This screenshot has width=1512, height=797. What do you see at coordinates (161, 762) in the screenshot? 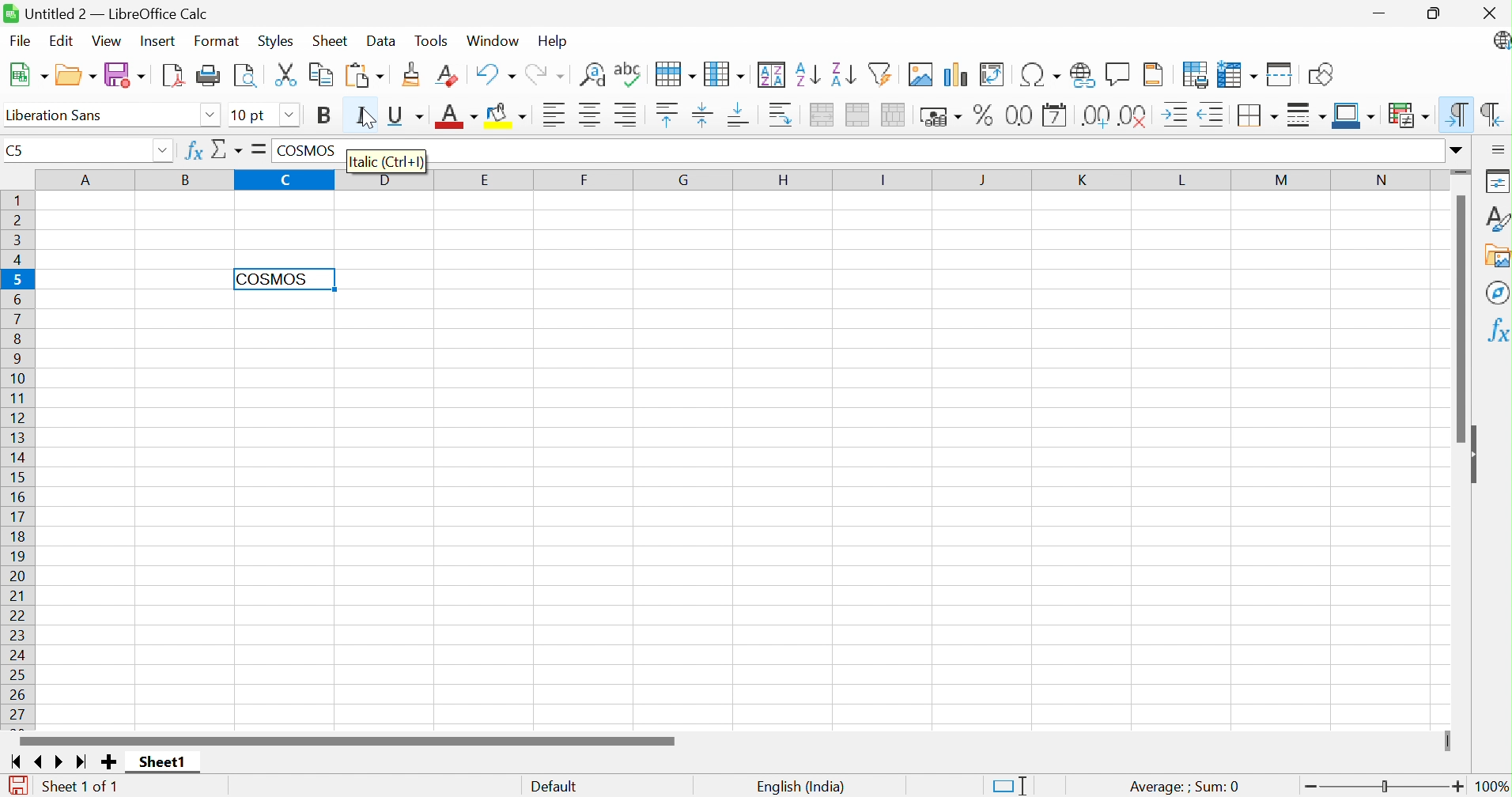
I see `Sheet1` at bounding box center [161, 762].